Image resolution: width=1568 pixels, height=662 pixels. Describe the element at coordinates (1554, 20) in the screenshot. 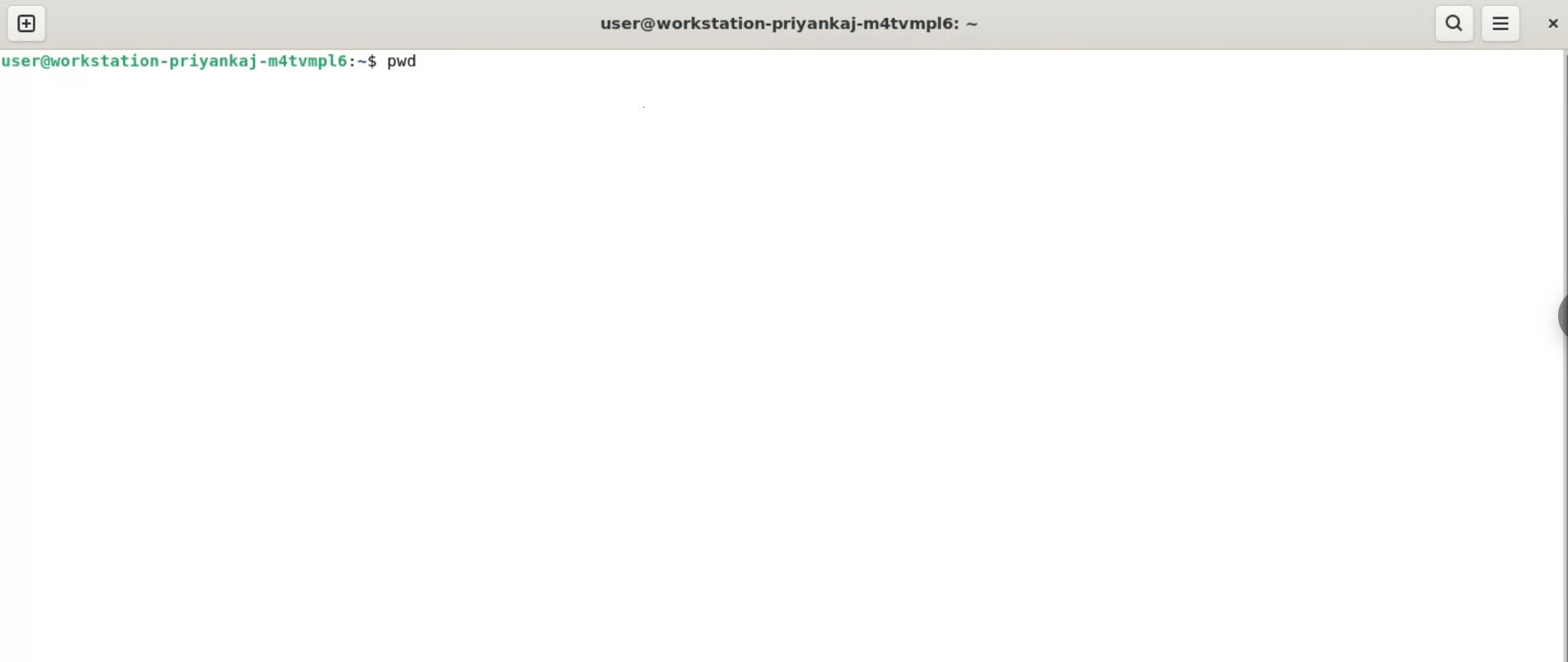

I see `close` at that location.